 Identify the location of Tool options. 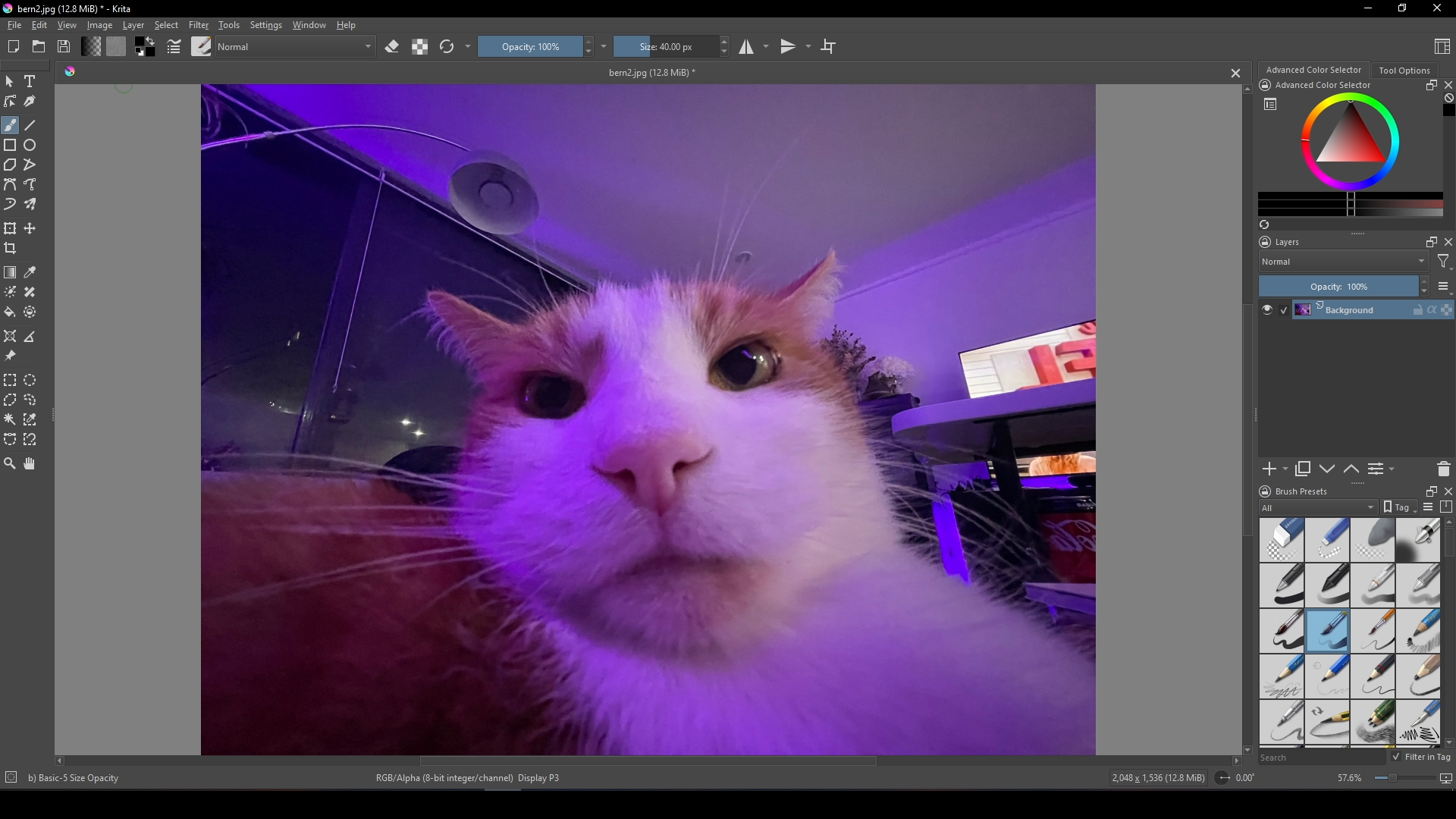
(1405, 70).